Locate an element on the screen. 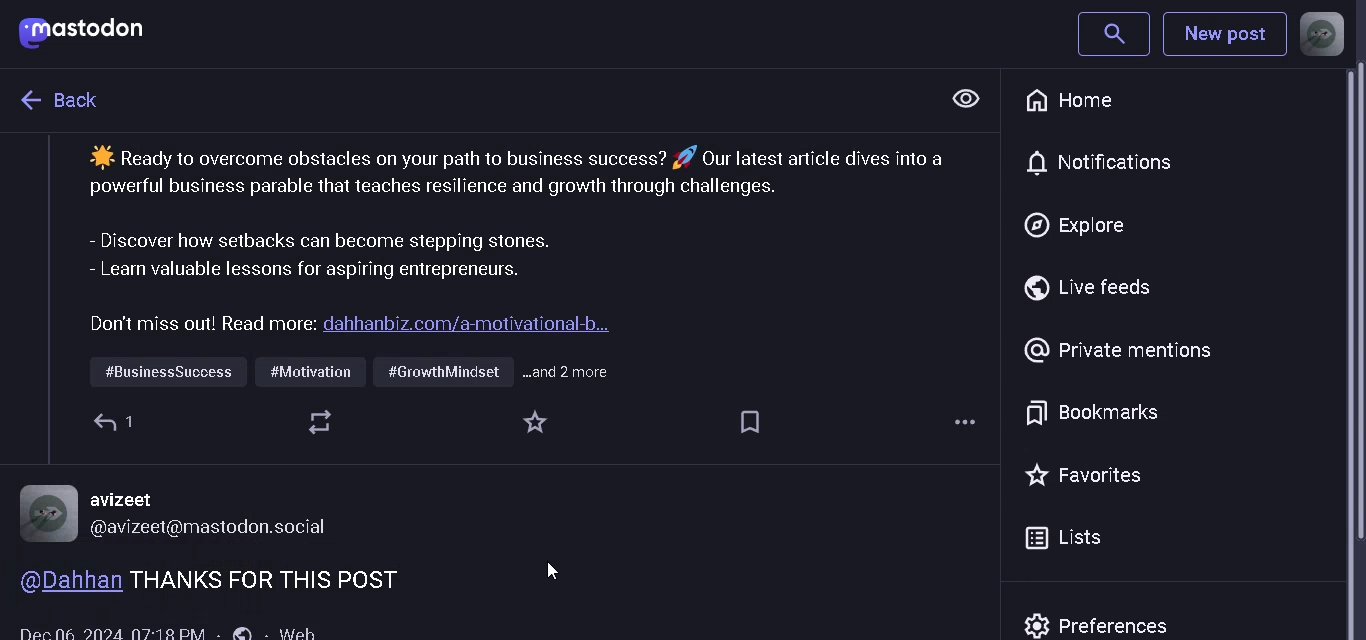 Image resolution: width=1366 pixels, height=640 pixels. bookmarks is located at coordinates (1092, 411).